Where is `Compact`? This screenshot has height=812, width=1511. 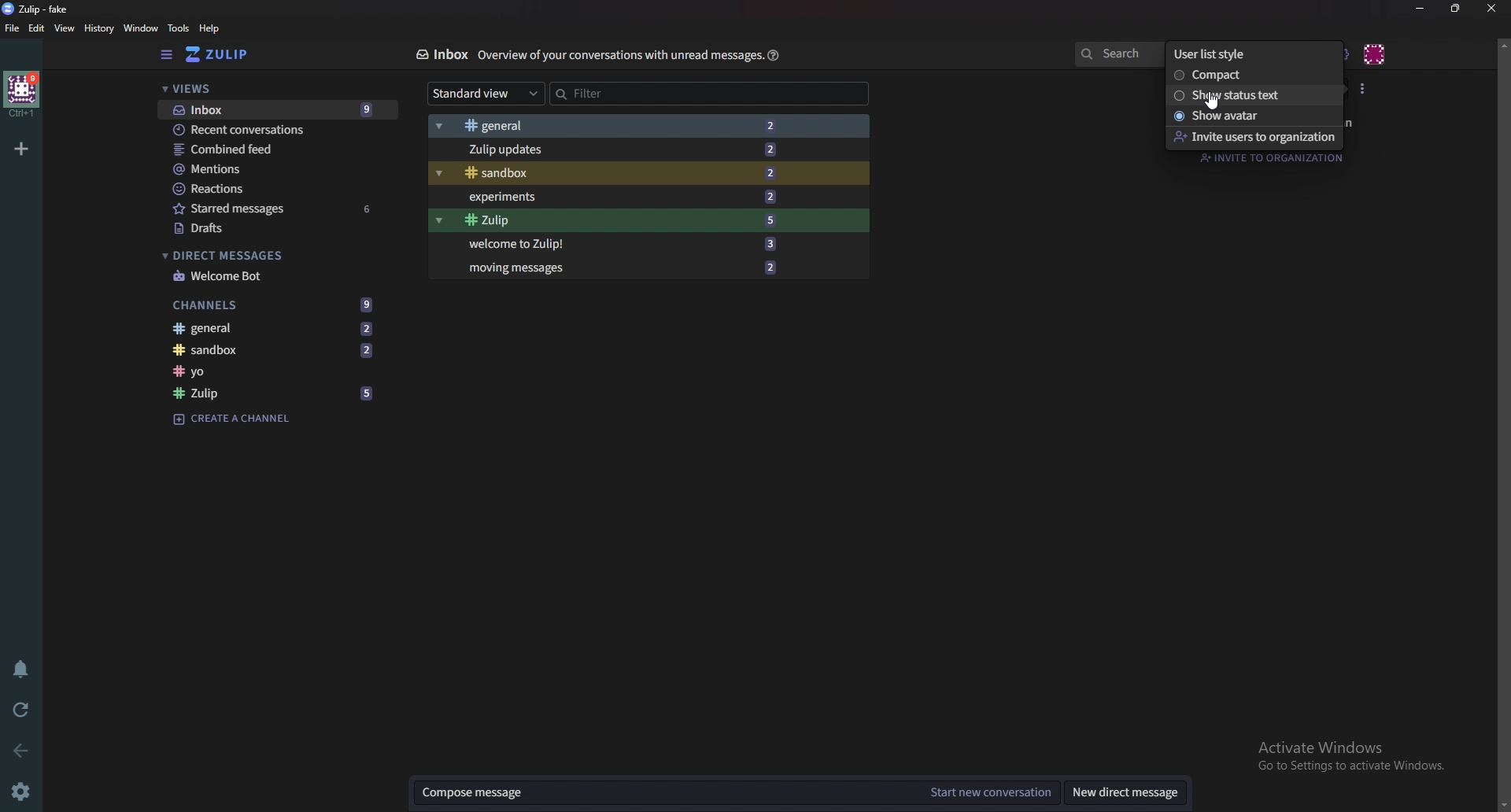 Compact is located at coordinates (1232, 74).